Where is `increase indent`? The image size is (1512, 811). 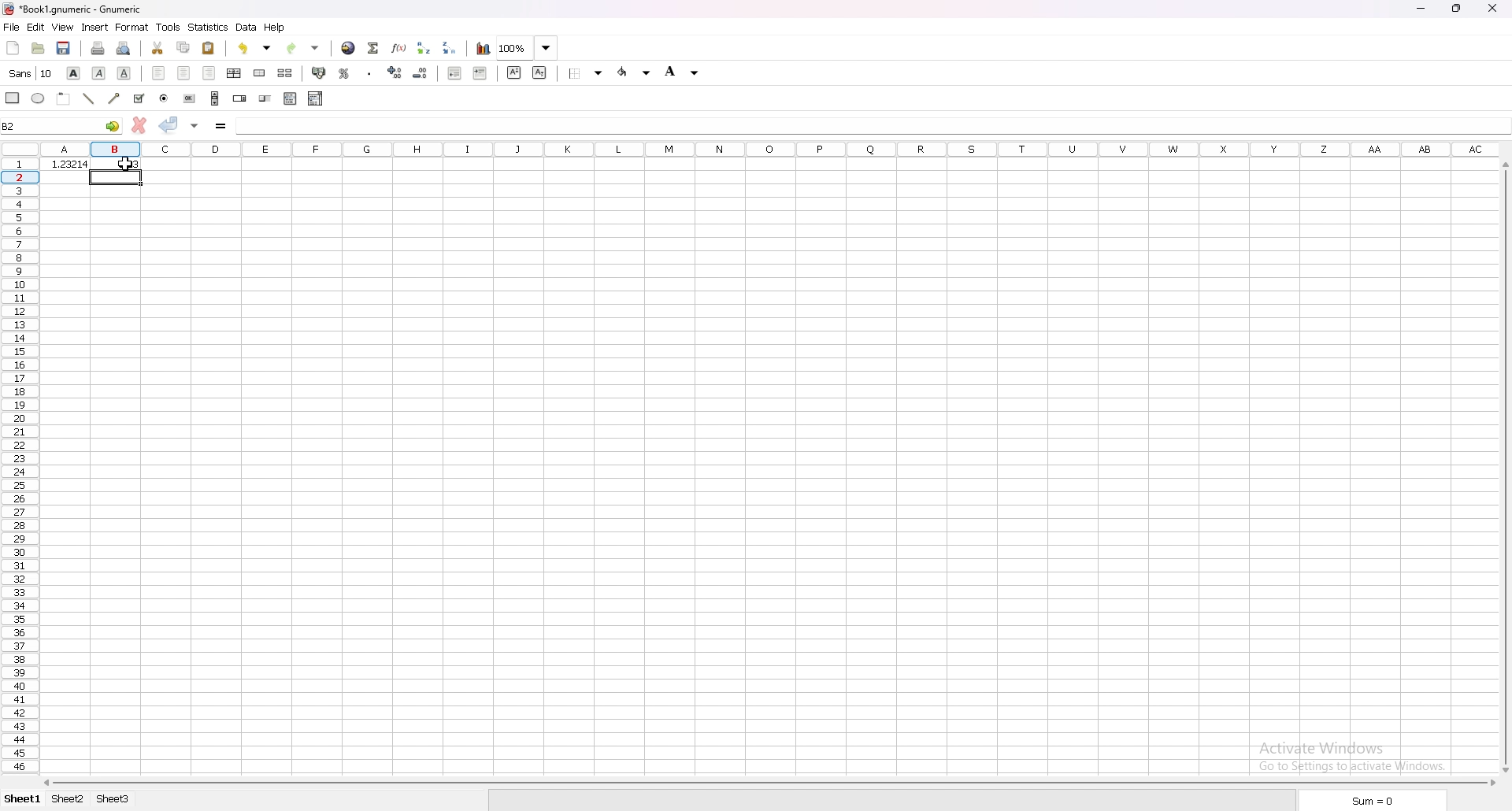
increase indent is located at coordinates (480, 74).